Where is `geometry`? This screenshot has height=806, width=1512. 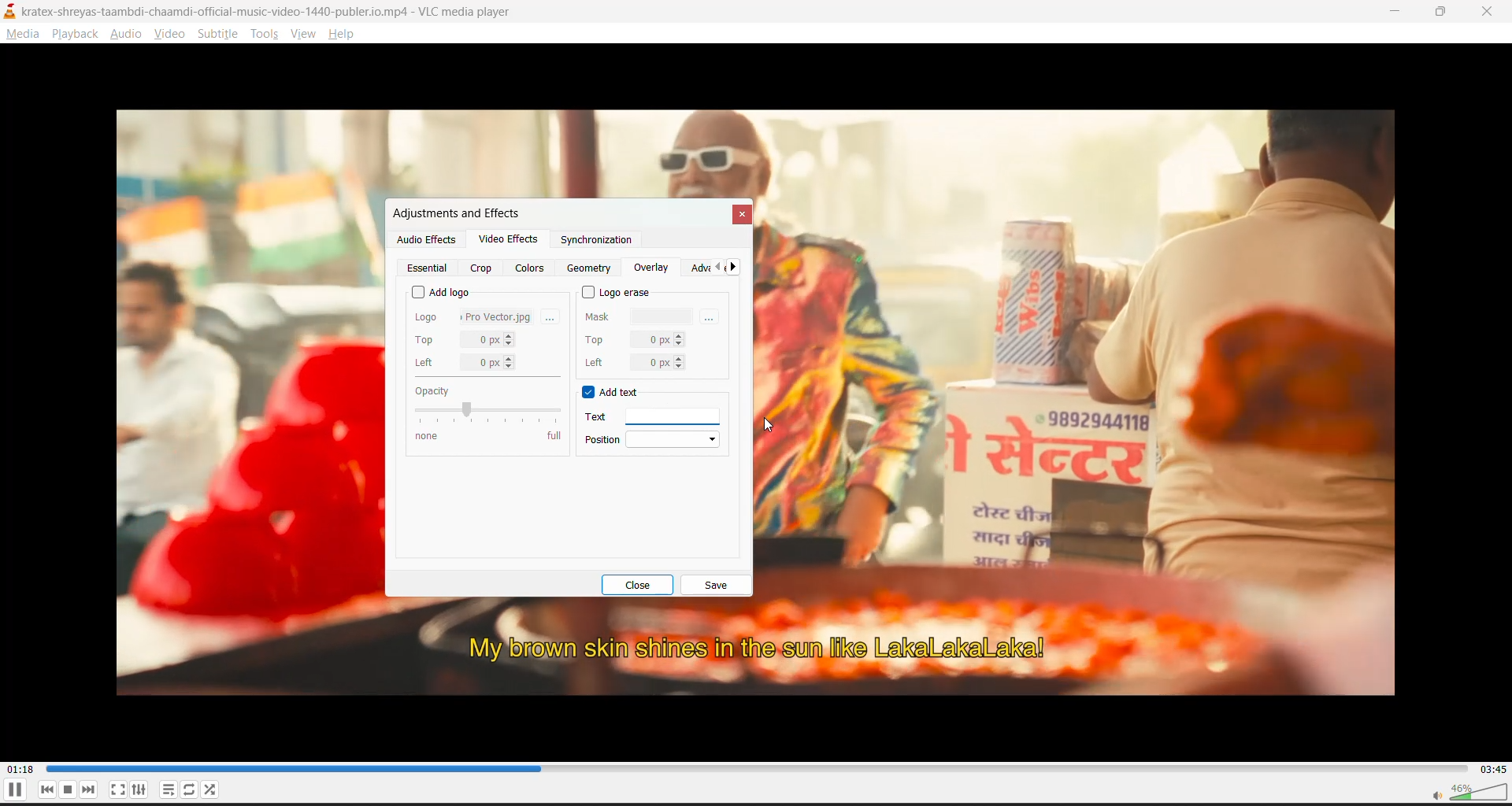 geometry is located at coordinates (591, 268).